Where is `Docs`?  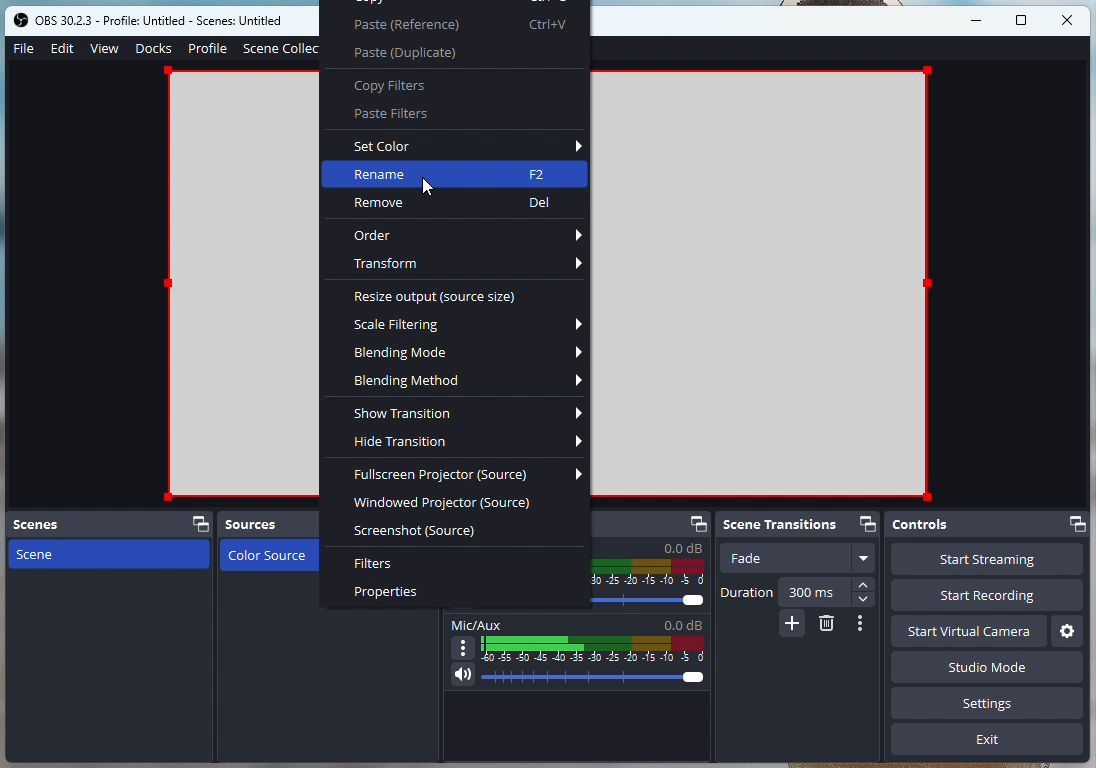 Docs is located at coordinates (153, 48).